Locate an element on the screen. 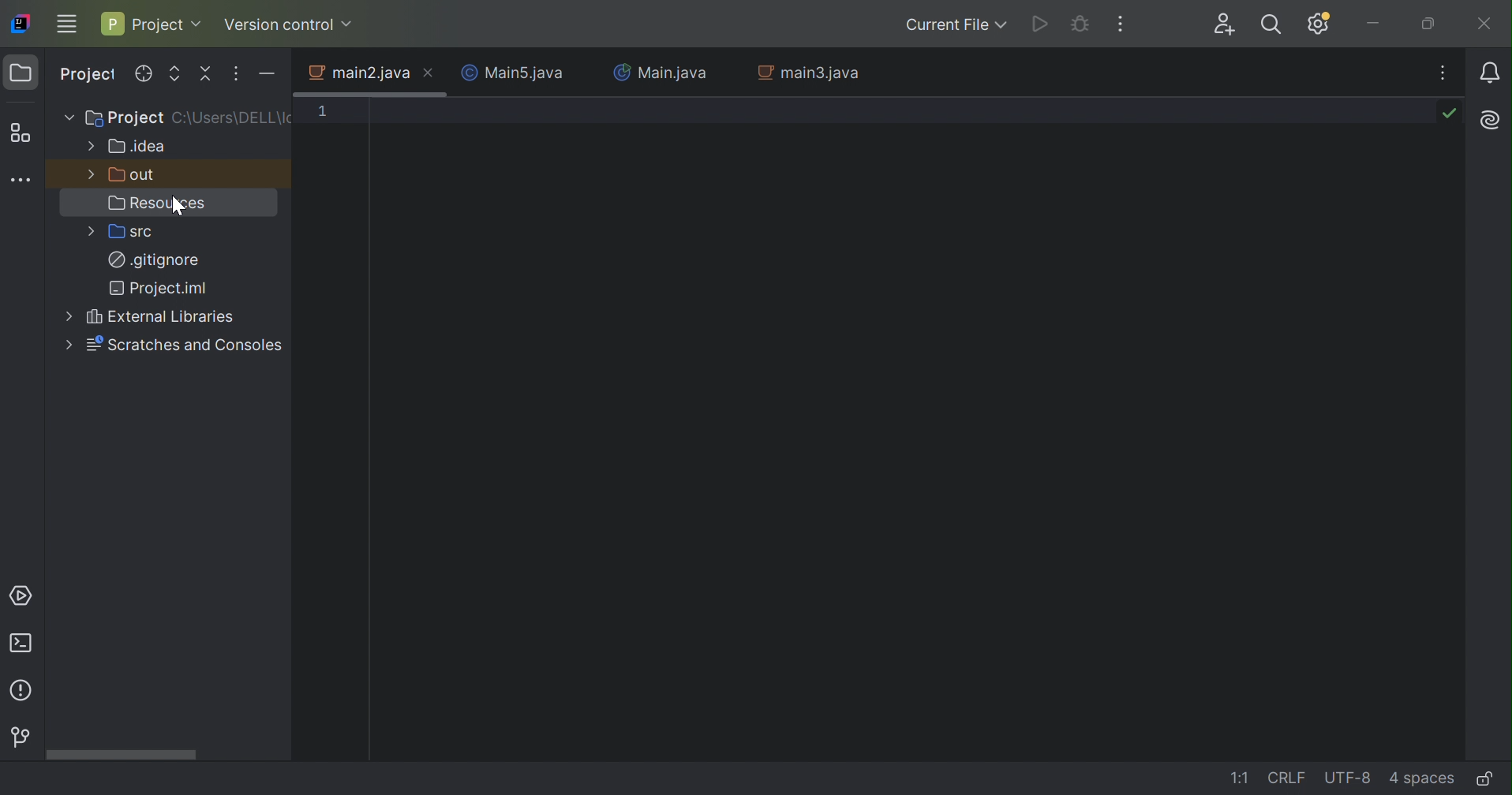 Image resolution: width=1512 pixels, height=795 pixels. Project.iml is located at coordinates (159, 289).